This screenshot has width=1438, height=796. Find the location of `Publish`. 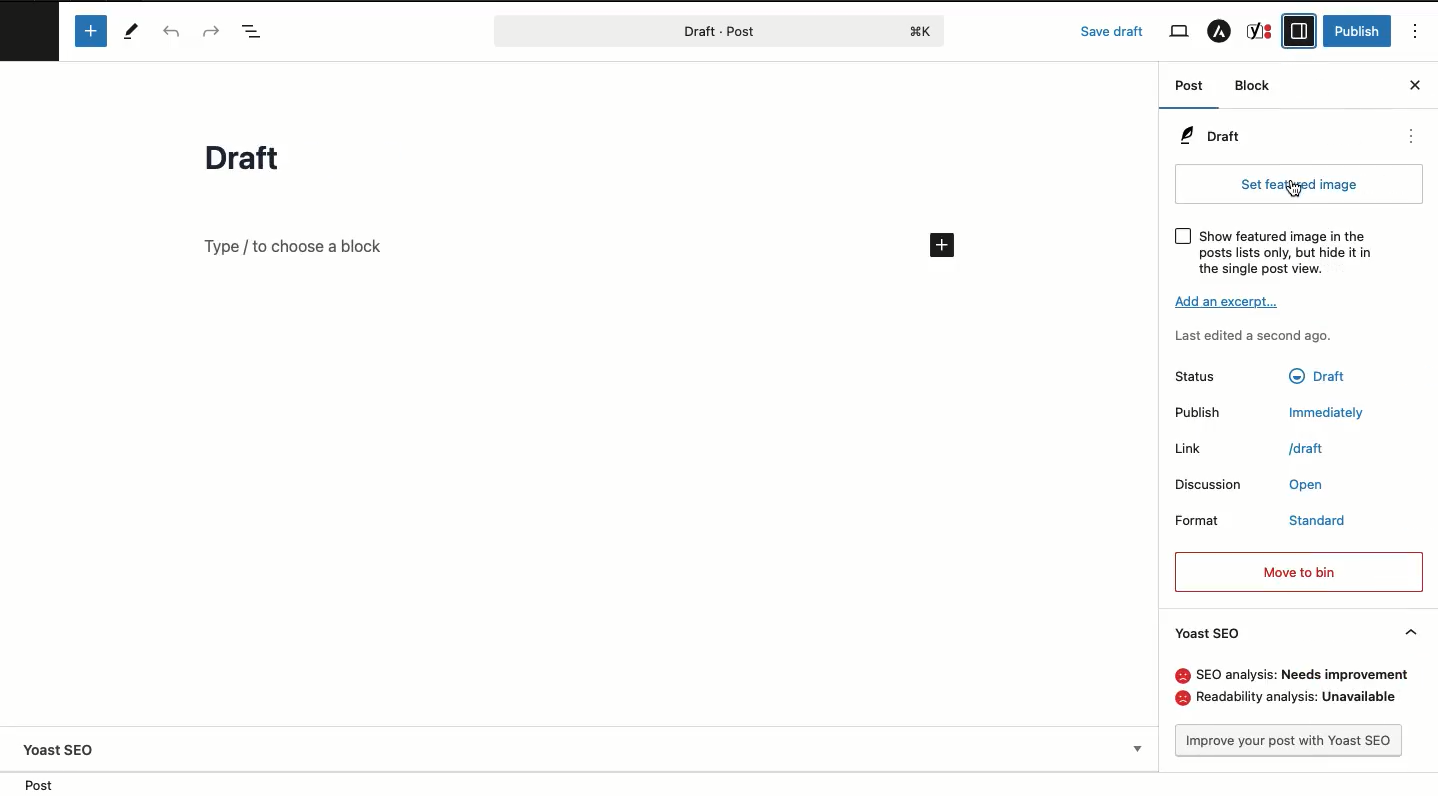

Publish is located at coordinates (1197, 412).